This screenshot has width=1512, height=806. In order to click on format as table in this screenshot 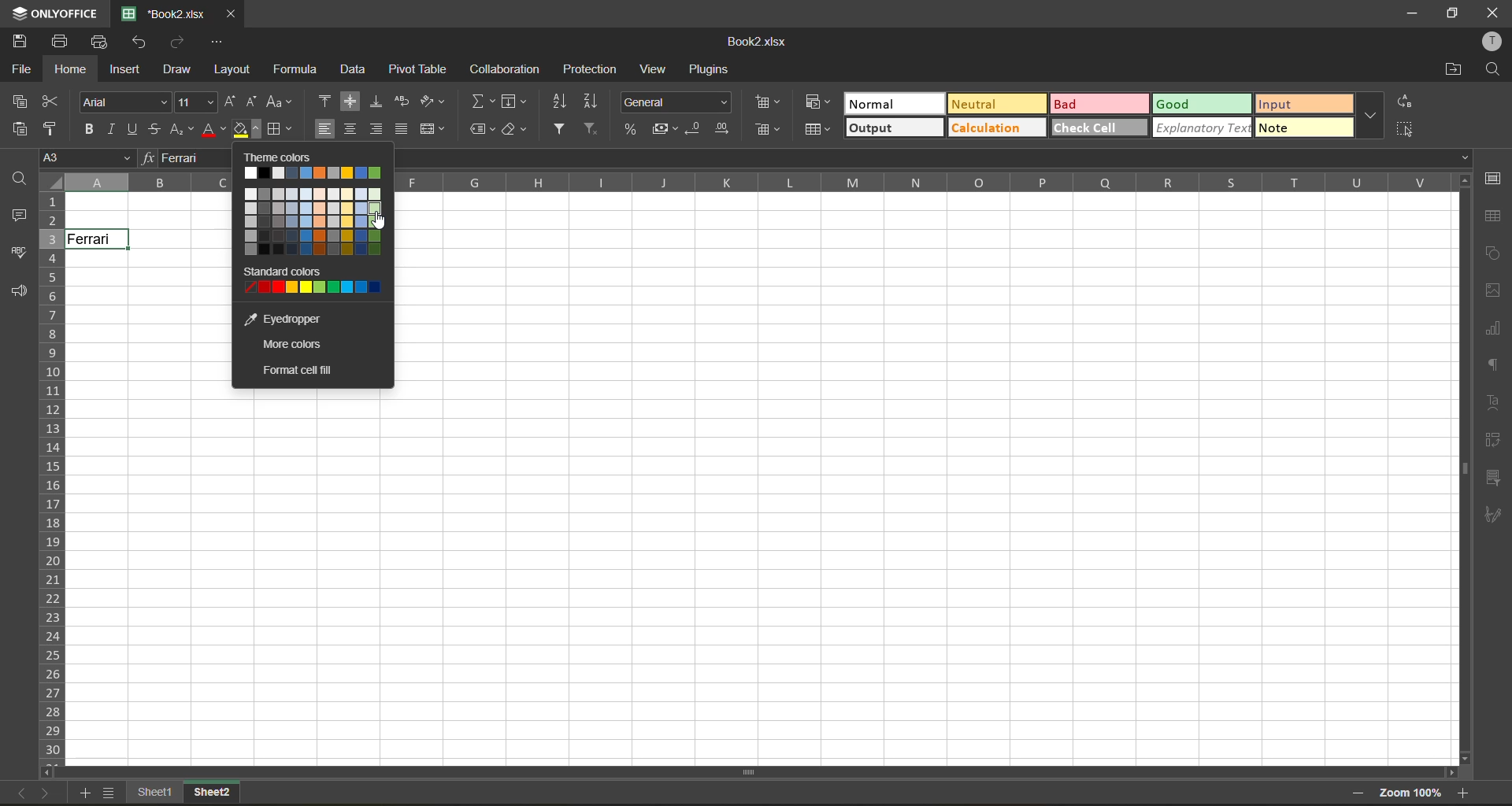, I will do `click(772, 131)`.